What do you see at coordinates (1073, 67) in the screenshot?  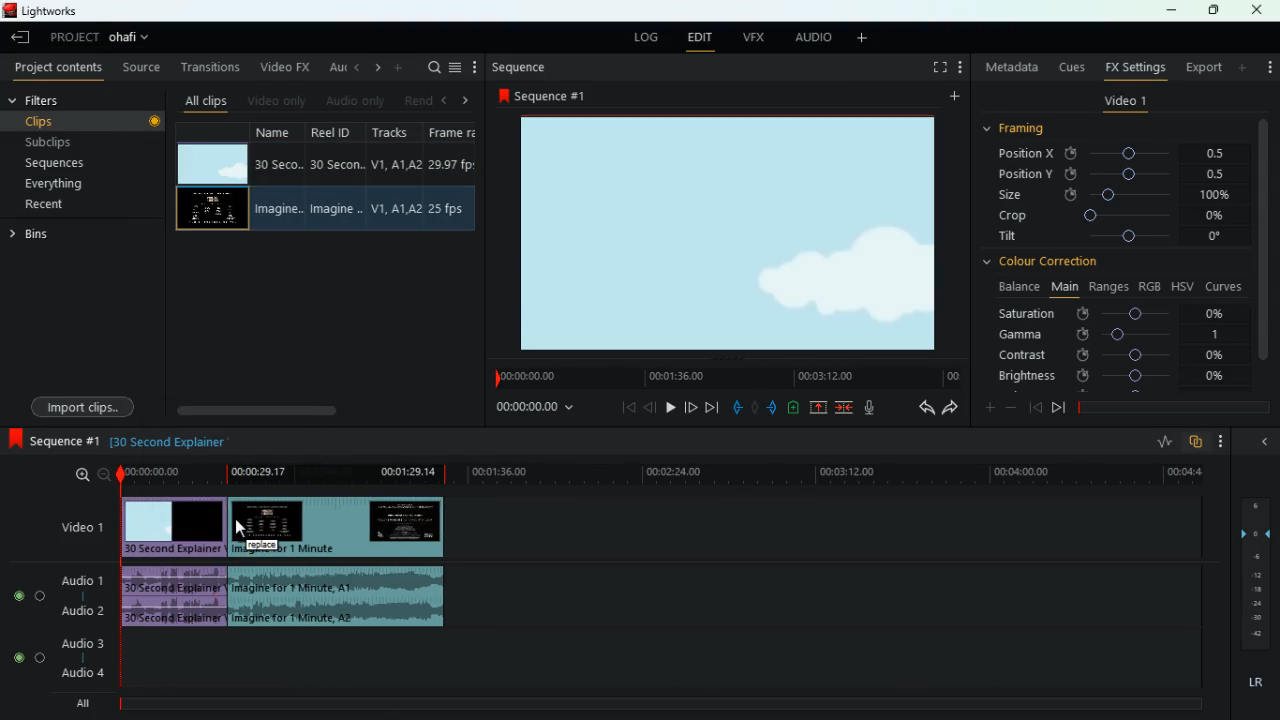 I see `cues` at bounding box center [1073, 67].